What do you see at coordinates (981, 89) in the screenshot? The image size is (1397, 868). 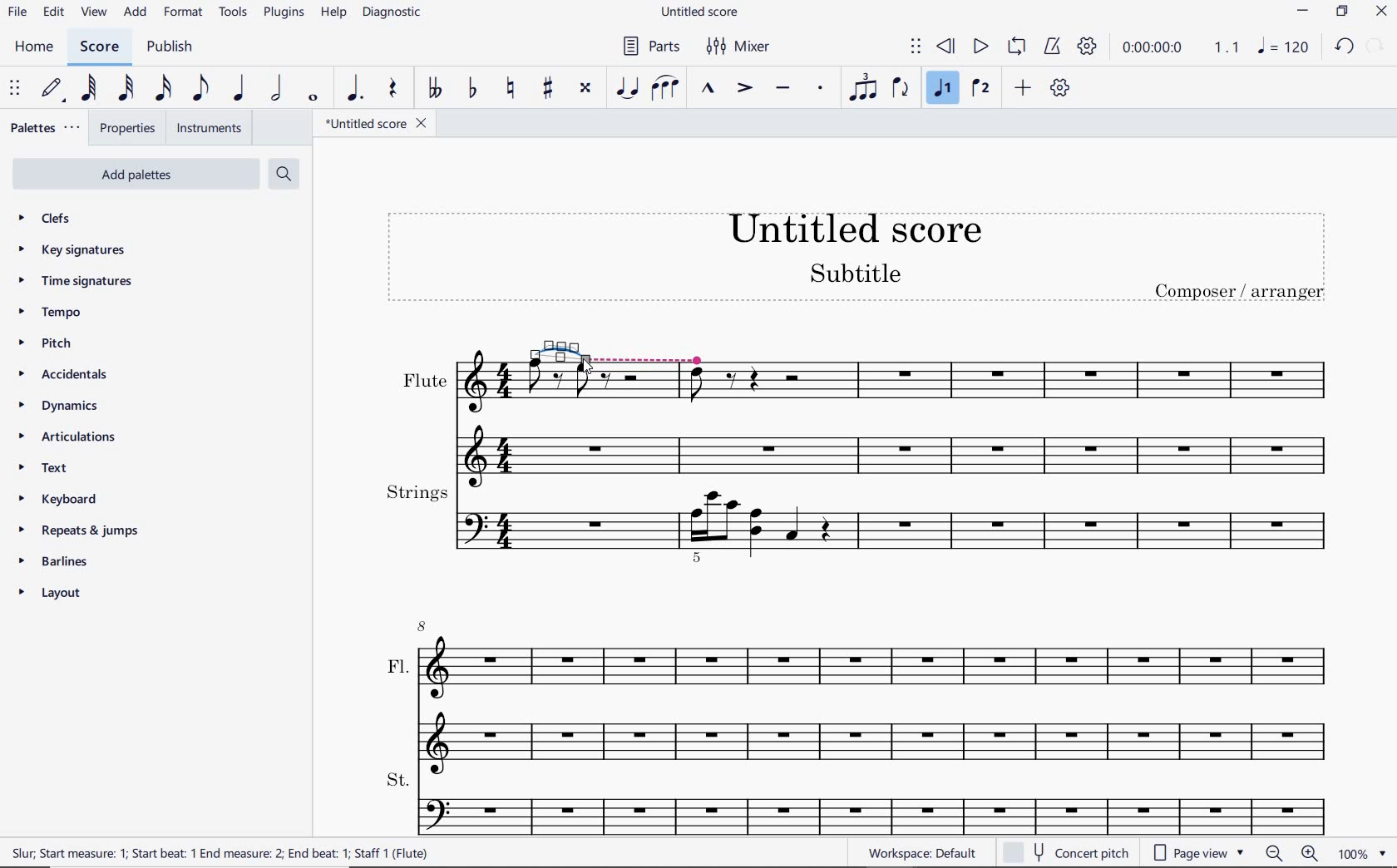 I see `VOICE 2` at bounding box center [981, 89].